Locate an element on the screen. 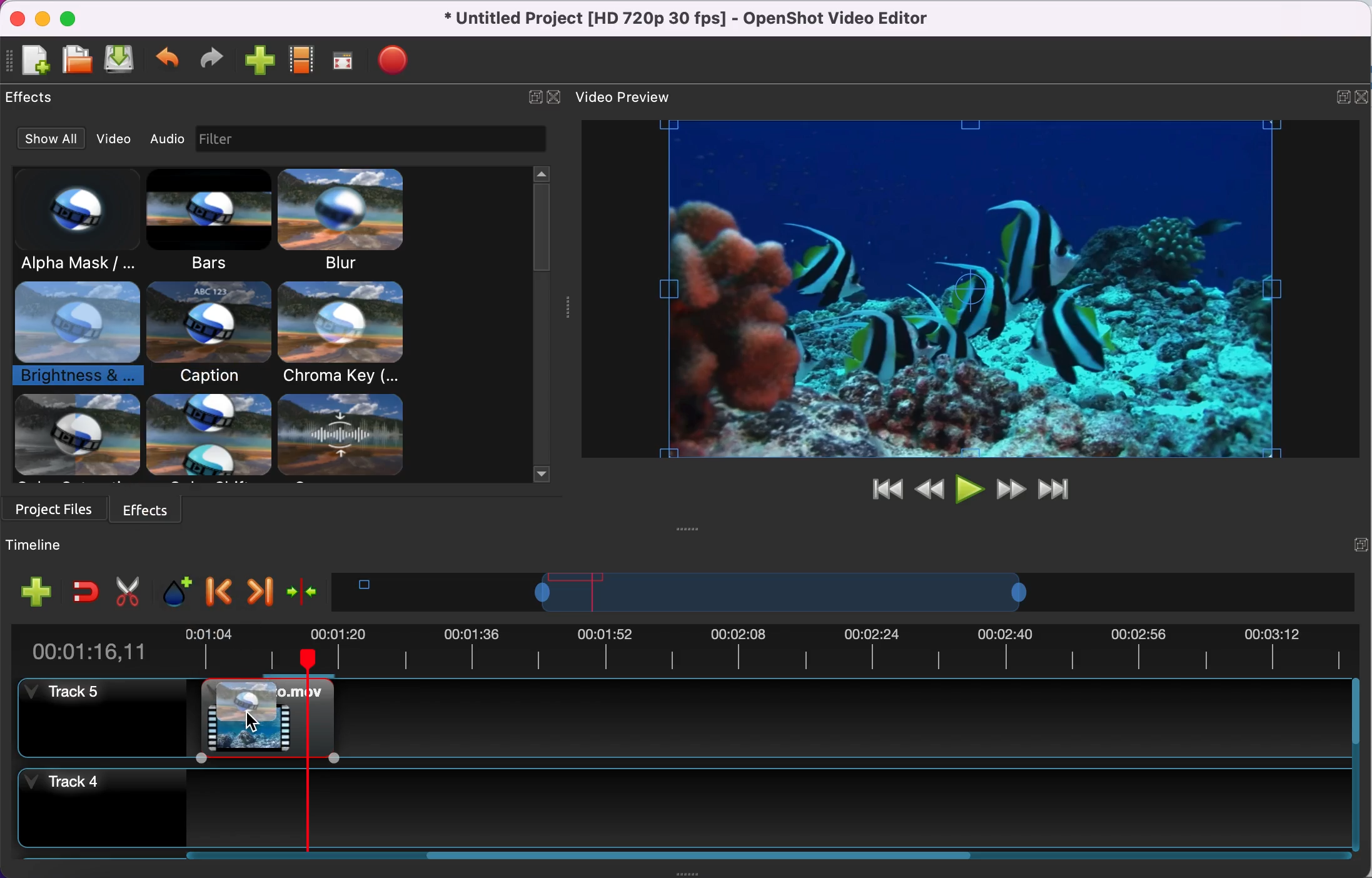 The height and width of the screenshot is (878, 1372). tracj 5 is located at coordinates (103, 719).